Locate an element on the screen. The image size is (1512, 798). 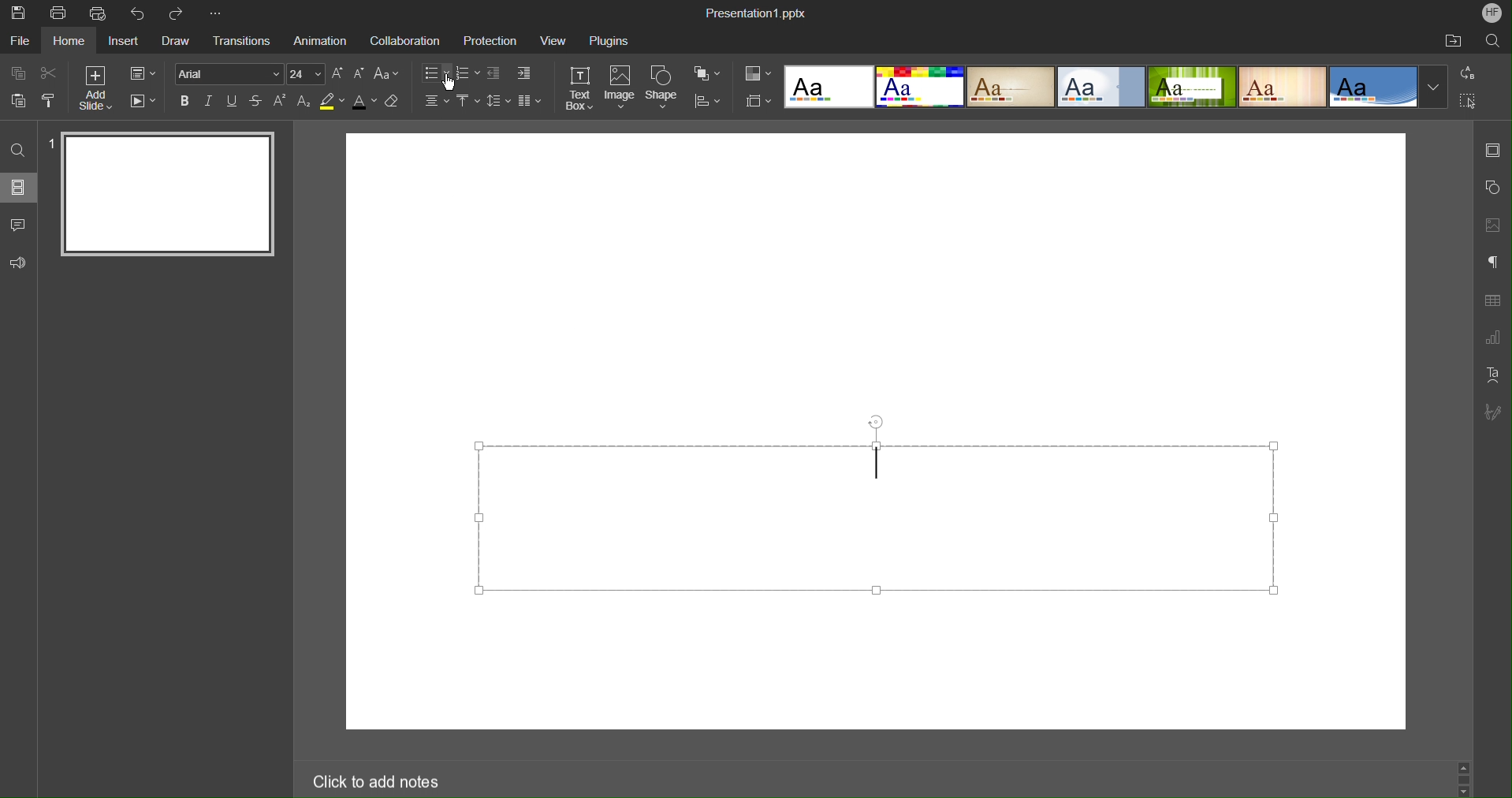
Text Effects is located at coordinates (220, 101).